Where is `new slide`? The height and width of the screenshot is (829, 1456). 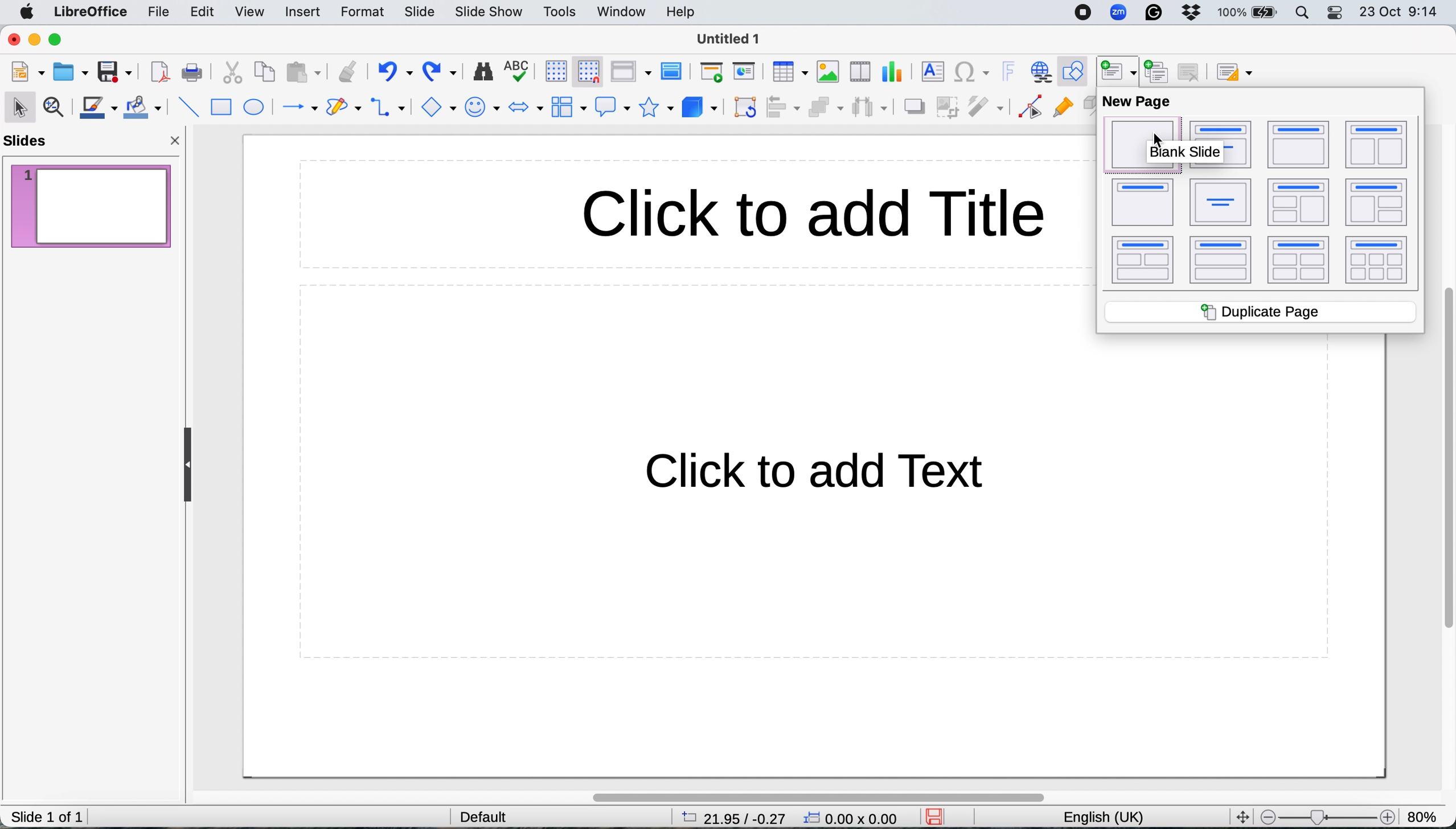 new slide is located at coordinates (1116, 69).